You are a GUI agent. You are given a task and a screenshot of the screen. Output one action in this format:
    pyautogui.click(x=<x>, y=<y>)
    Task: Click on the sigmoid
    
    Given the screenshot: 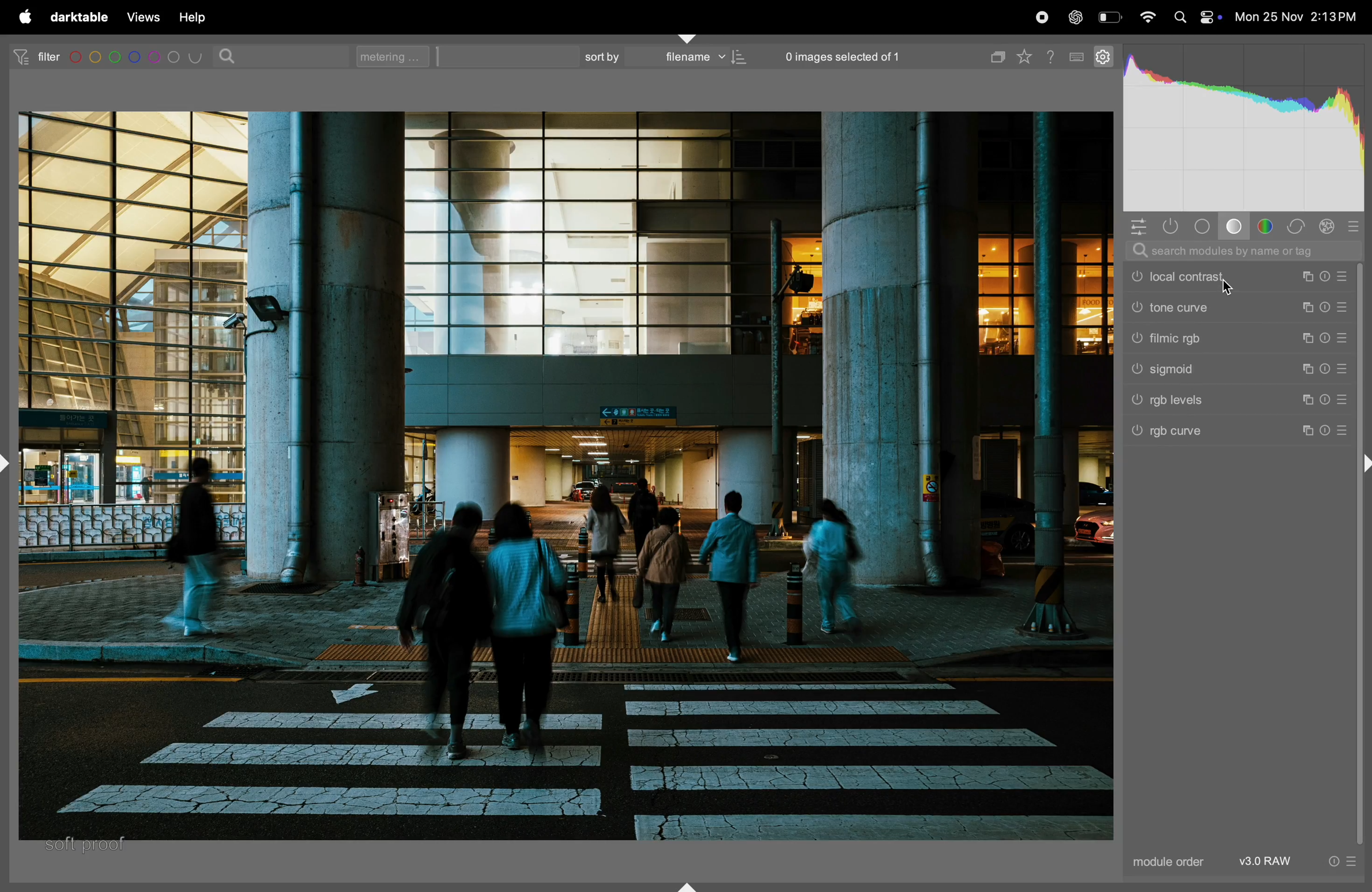 What is the action you would take?
    pyautogui.click(x=1232, y=371)
    